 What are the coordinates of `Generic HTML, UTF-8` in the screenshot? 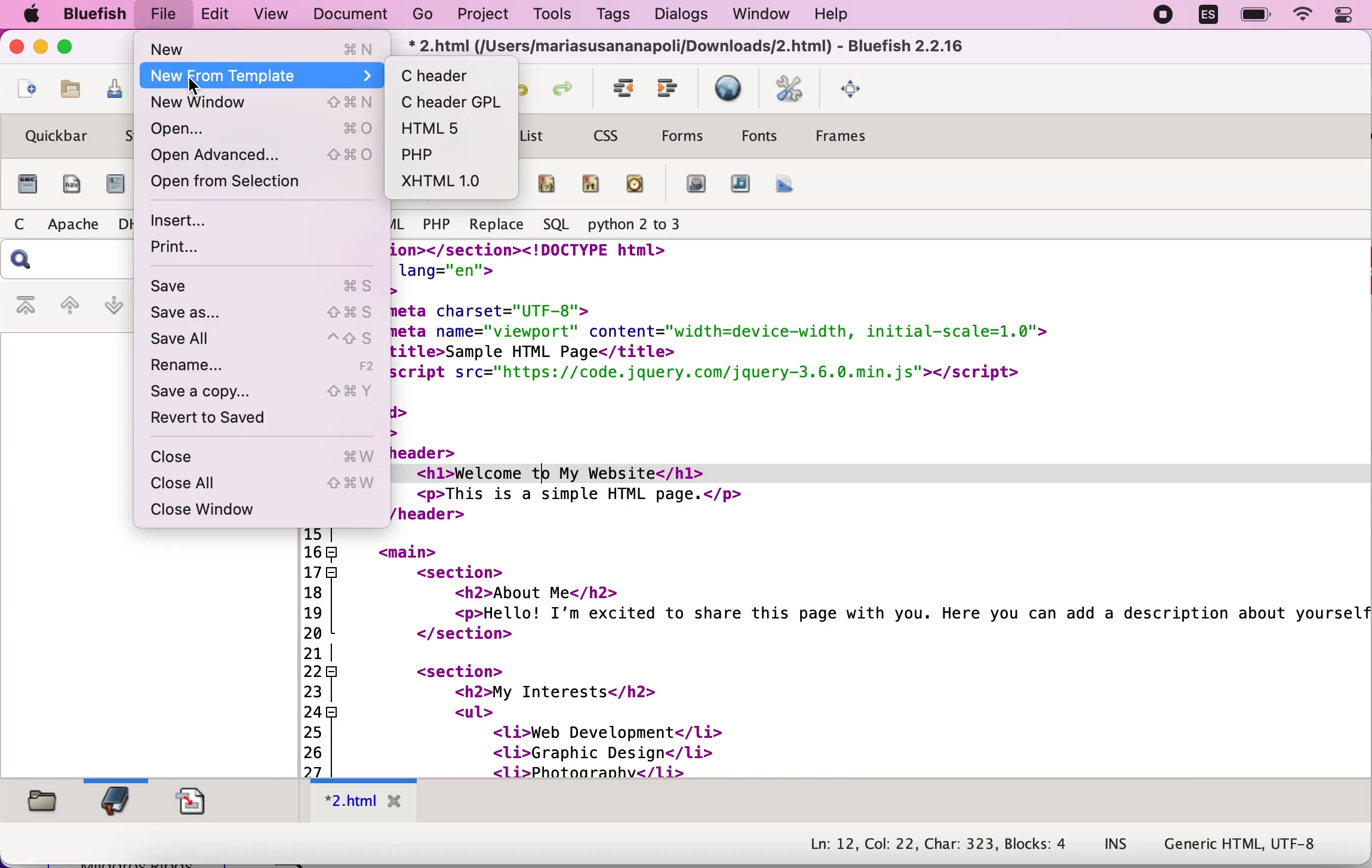 It's located at (1256, 844).